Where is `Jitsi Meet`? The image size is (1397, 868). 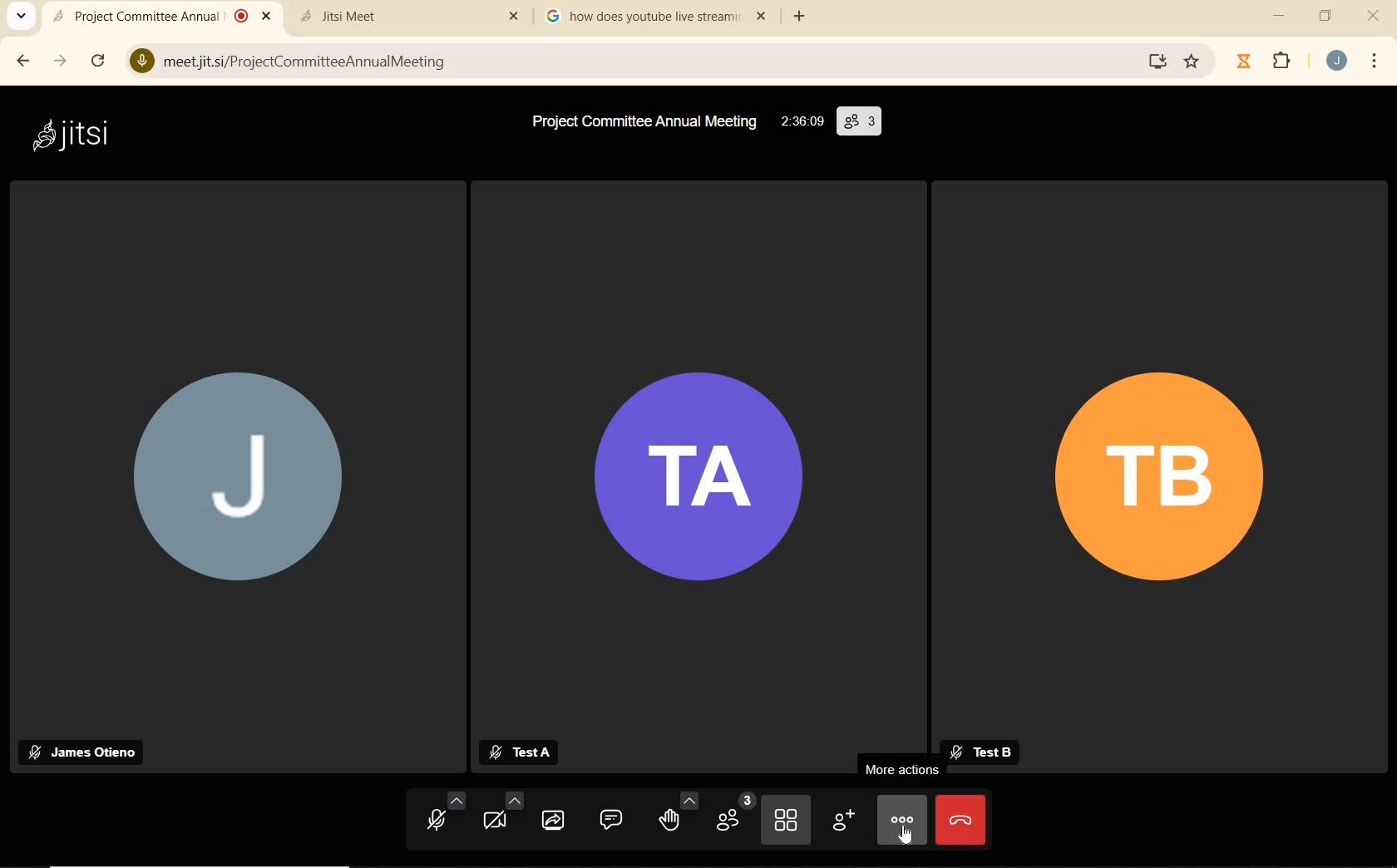
Jitsi Meet is located at coordinates (412, 14).